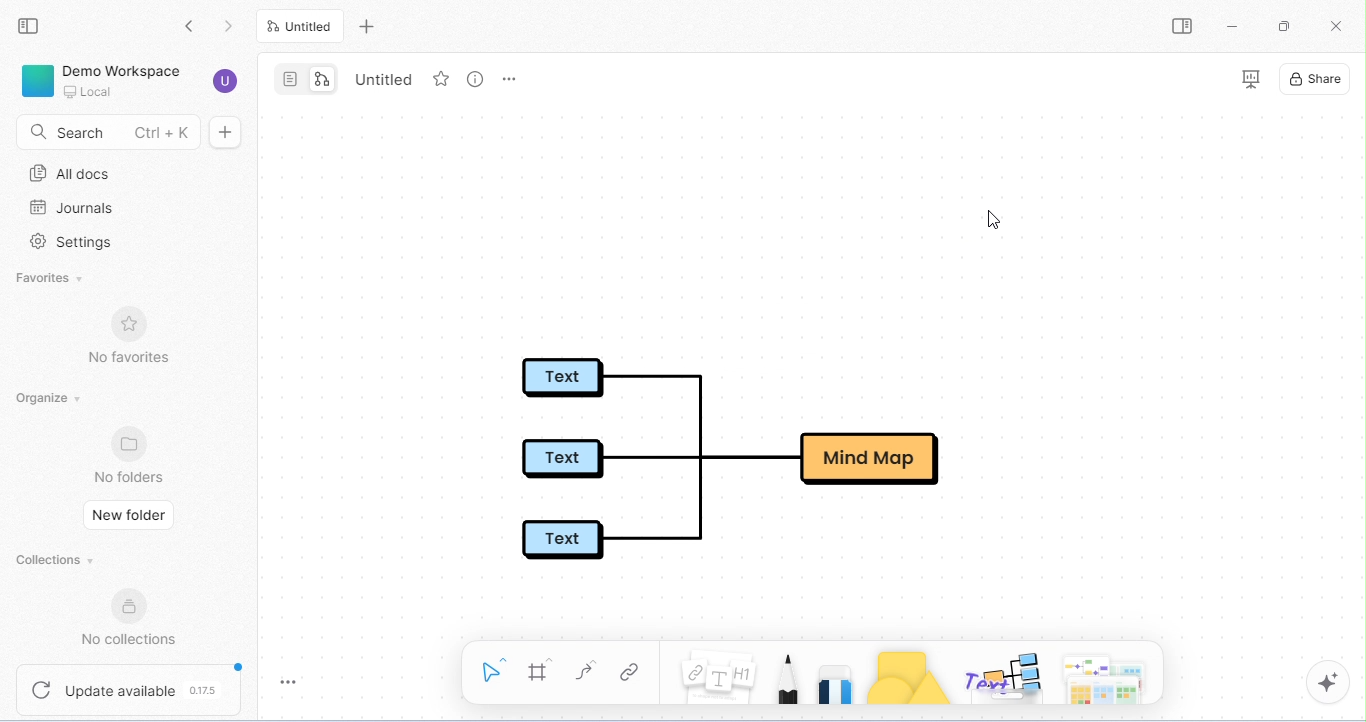 The image size is (1366, 722). Describe the element at coordinates (1108, 677) in the screenshot. I see `Arrows, Cheeky piggles, paper and more` at that location.